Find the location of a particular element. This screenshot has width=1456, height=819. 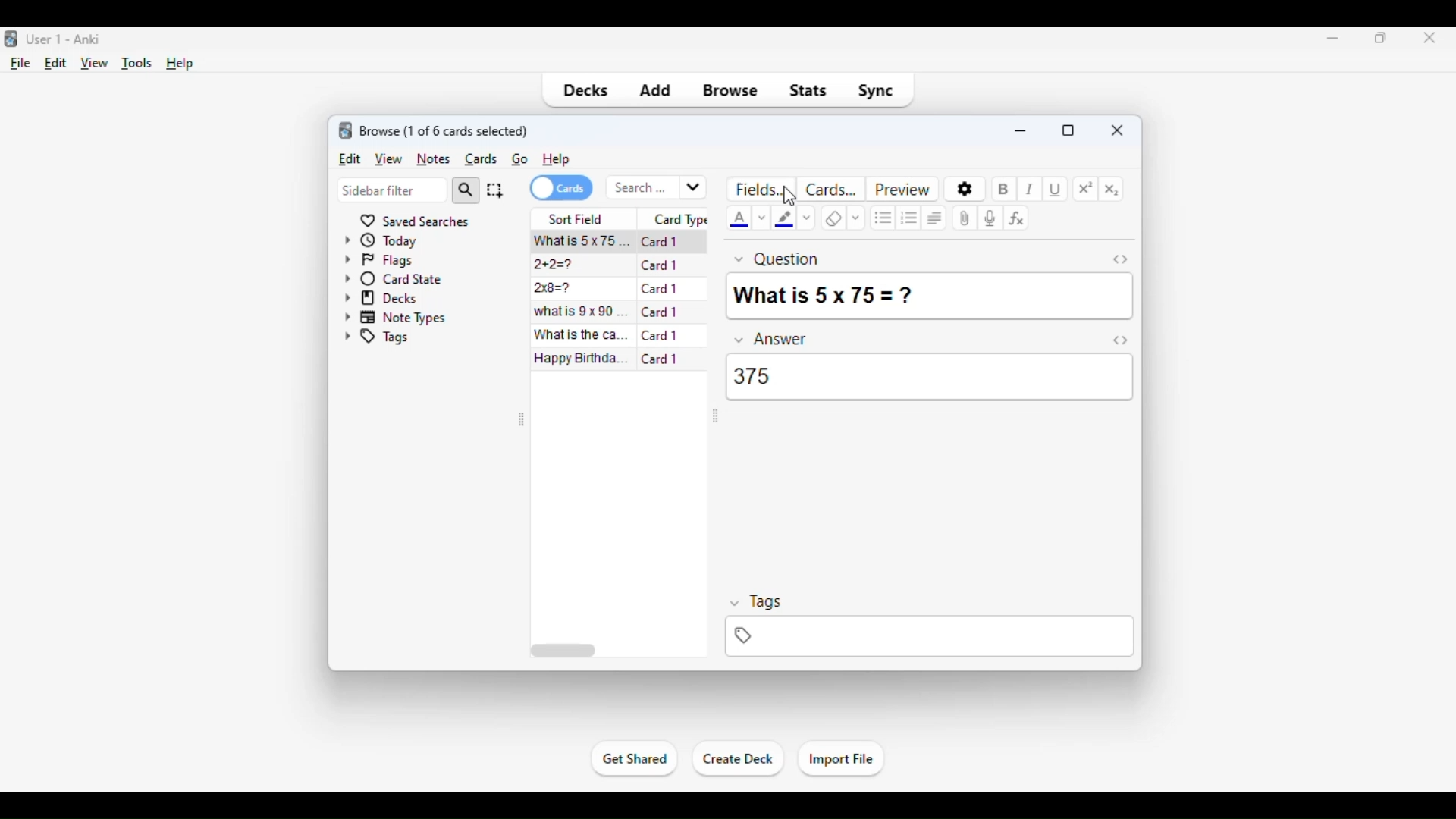

logo is located at coordinates (346, 130).